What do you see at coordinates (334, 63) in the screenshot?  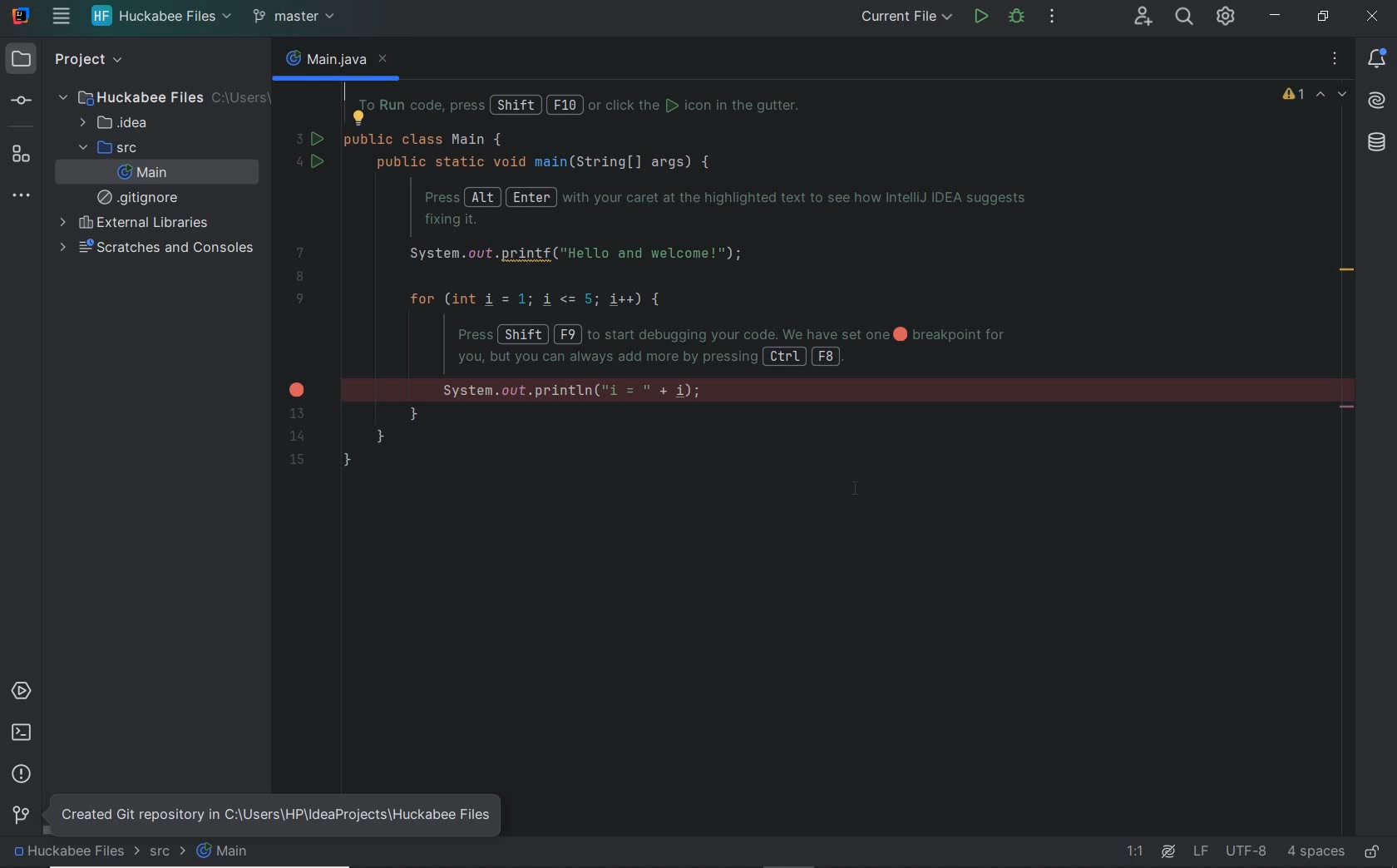 I see `main.java` at bounding box center [334, 63].